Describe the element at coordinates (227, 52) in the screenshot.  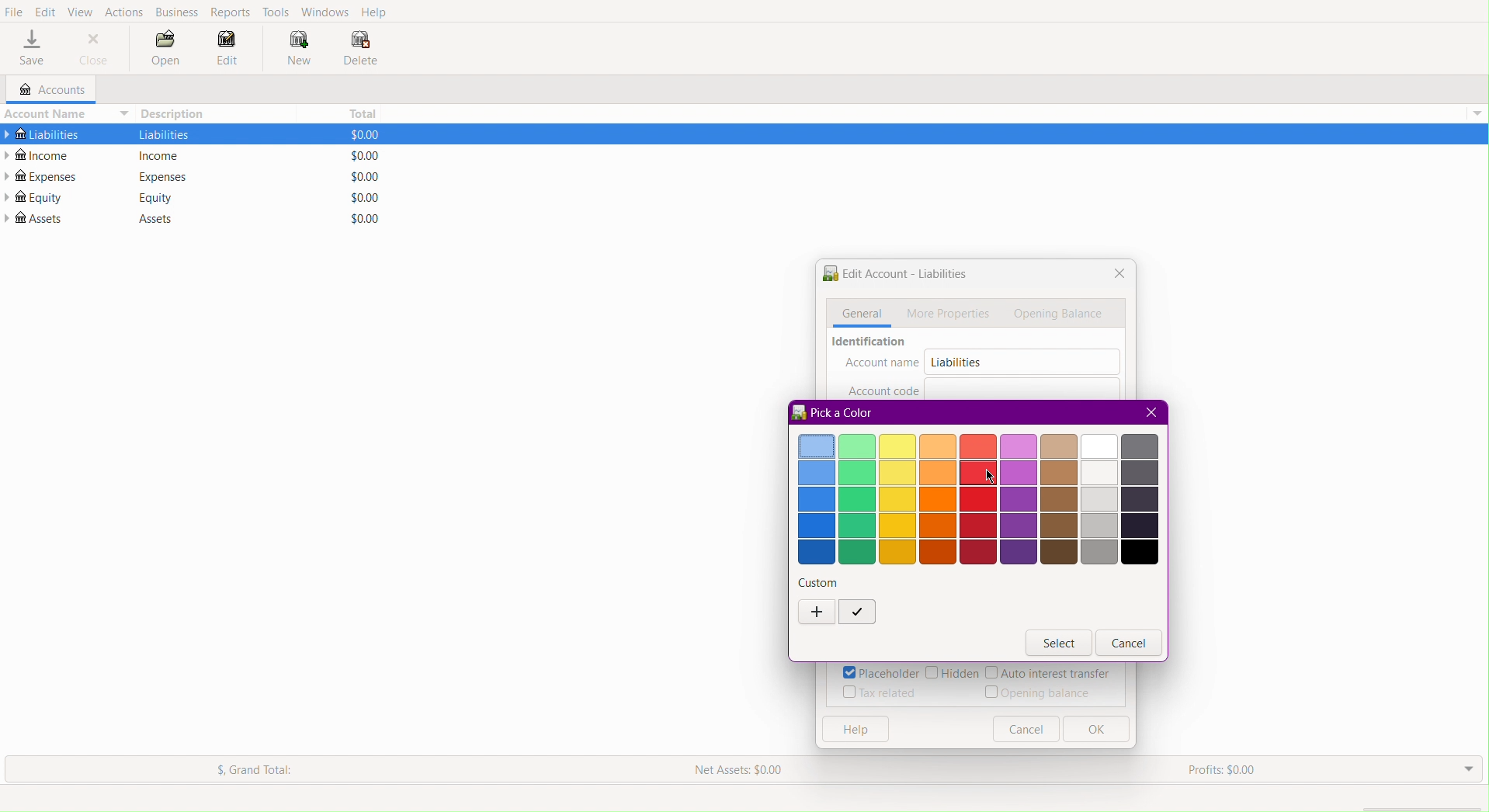
I see `Edit` at that location.